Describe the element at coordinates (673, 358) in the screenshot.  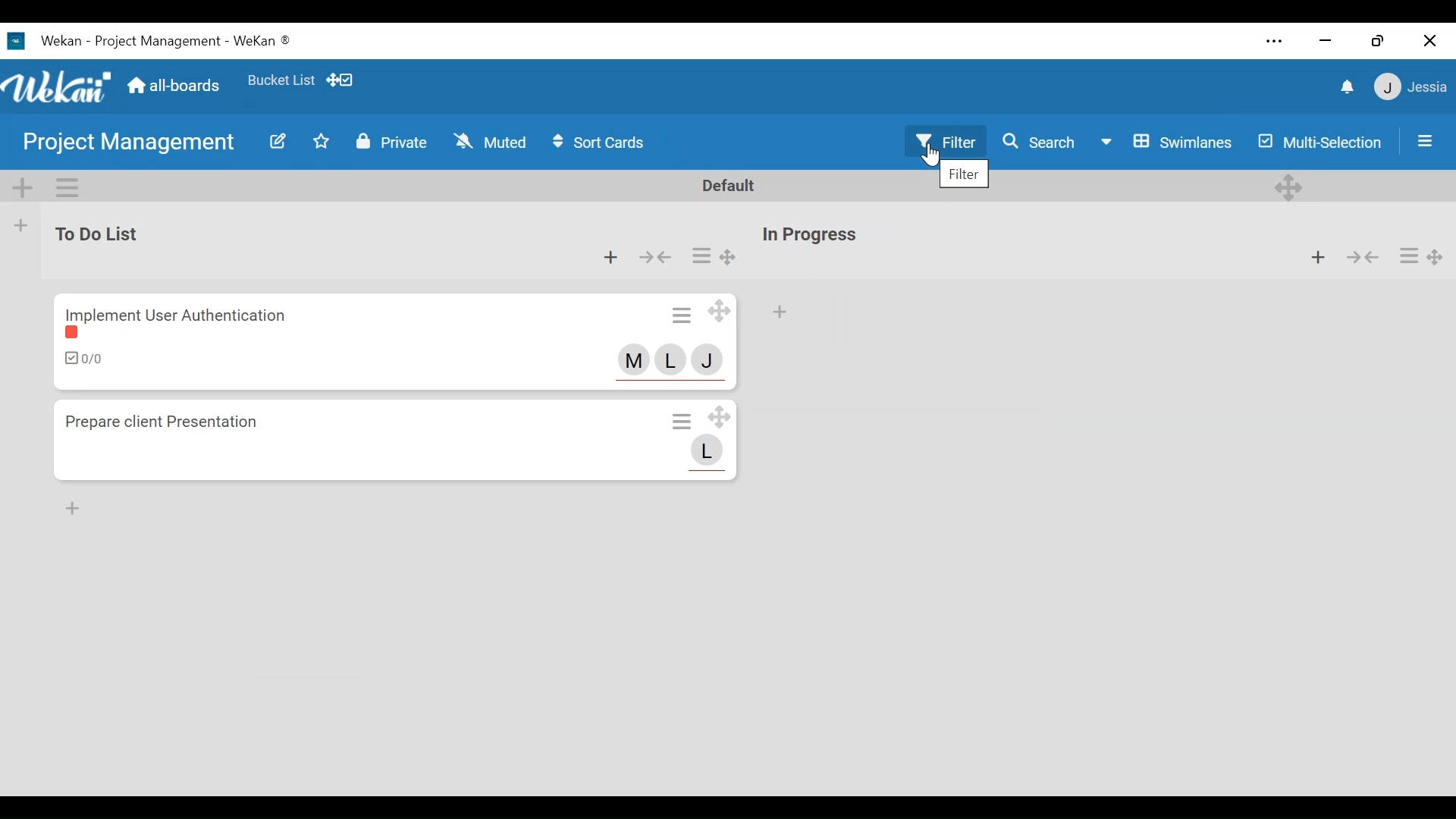
I see `member` at that location.